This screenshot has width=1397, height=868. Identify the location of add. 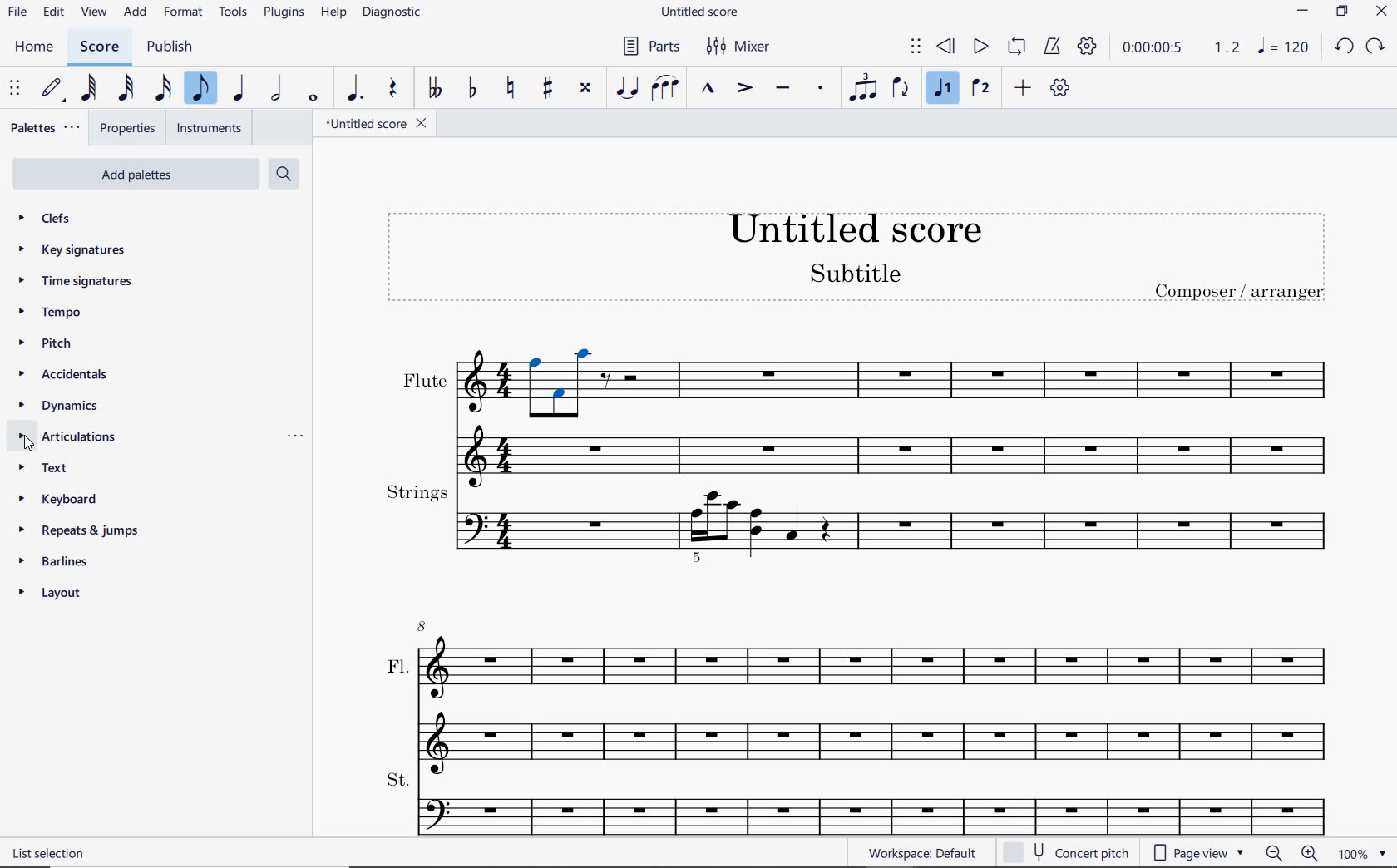
(136, 13).